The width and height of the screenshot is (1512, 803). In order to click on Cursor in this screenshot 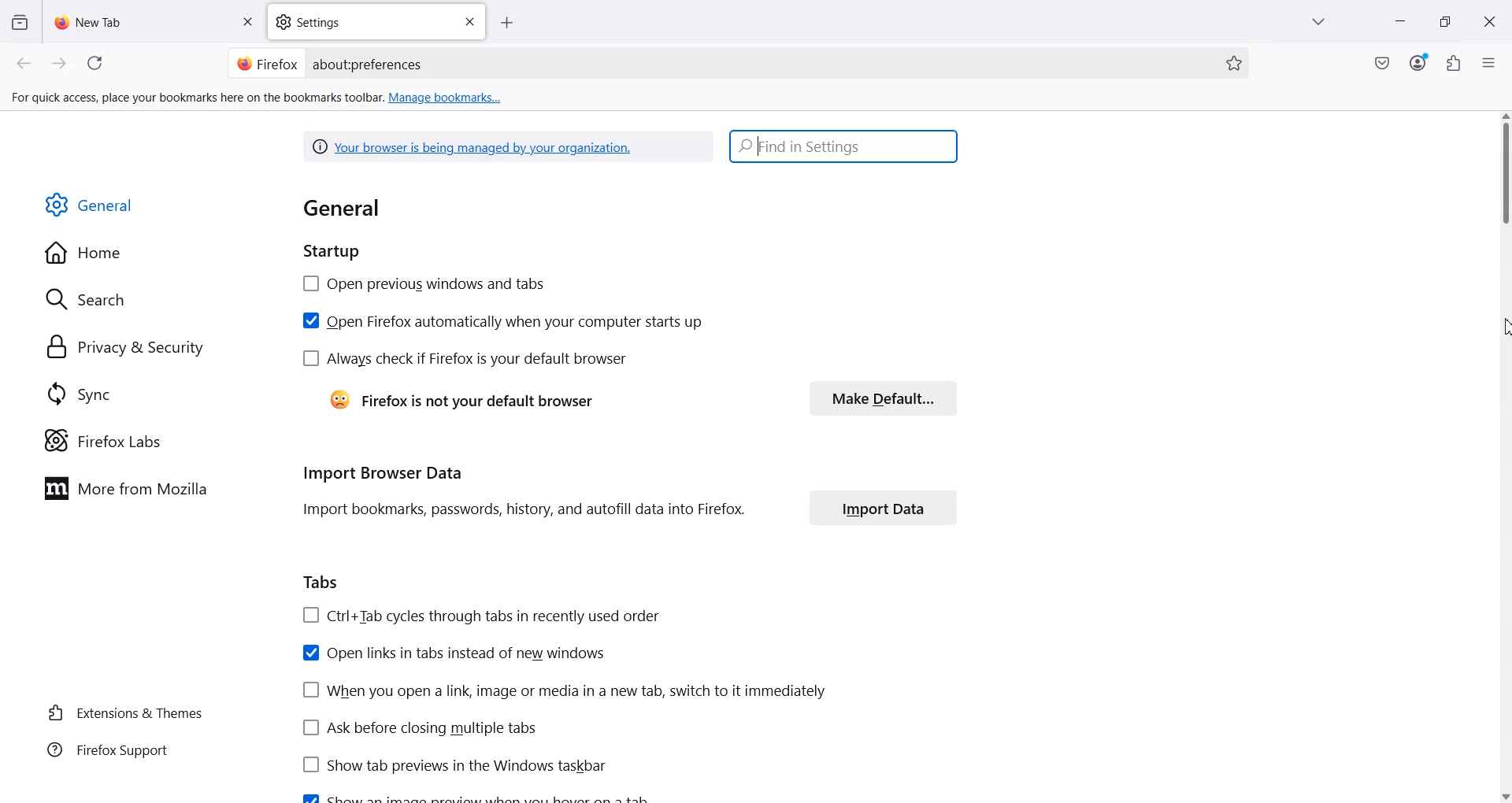, I will do `click(1499, 327)`.